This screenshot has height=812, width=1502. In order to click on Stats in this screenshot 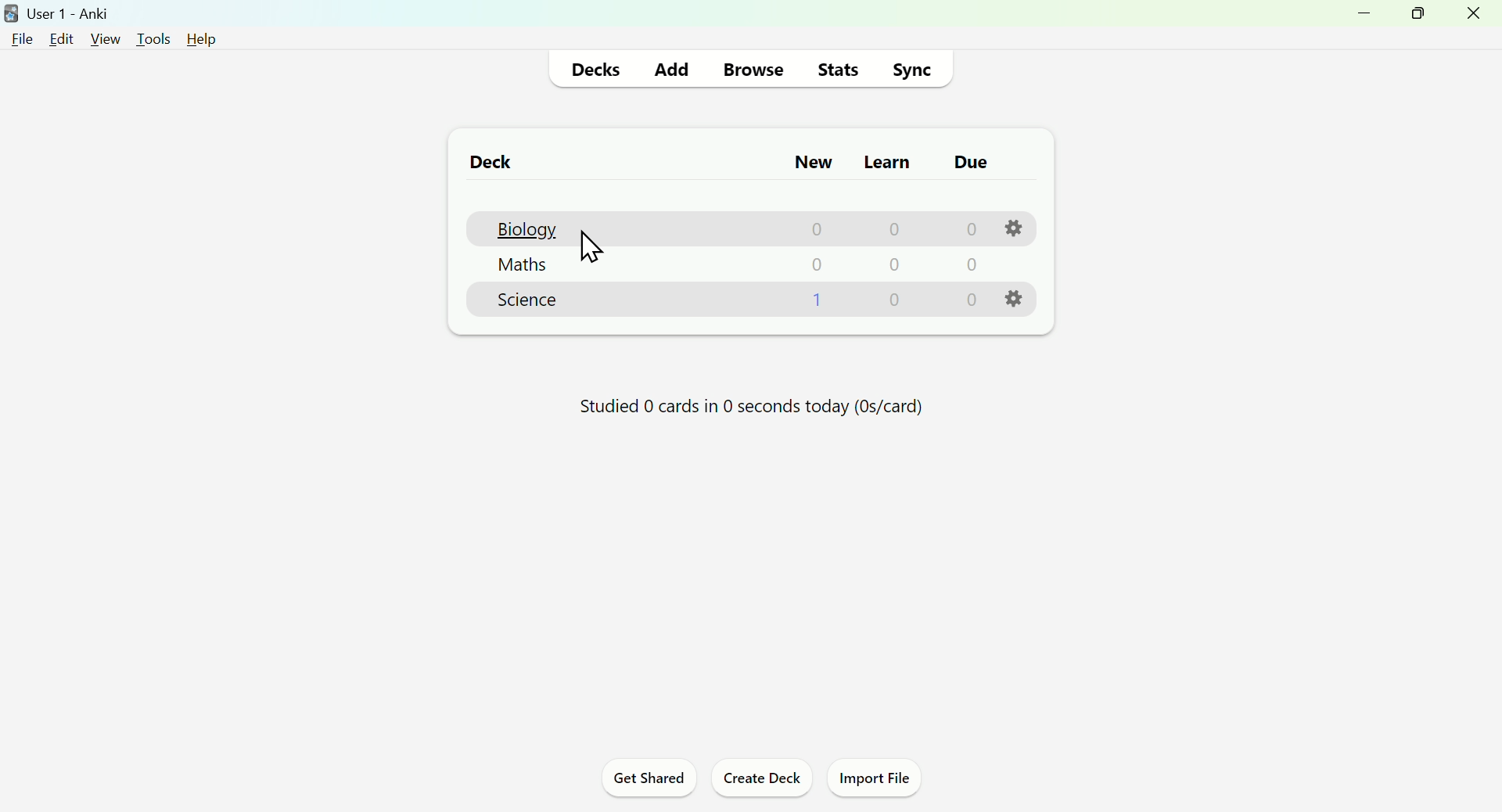, I will do `click(835, 68)`.